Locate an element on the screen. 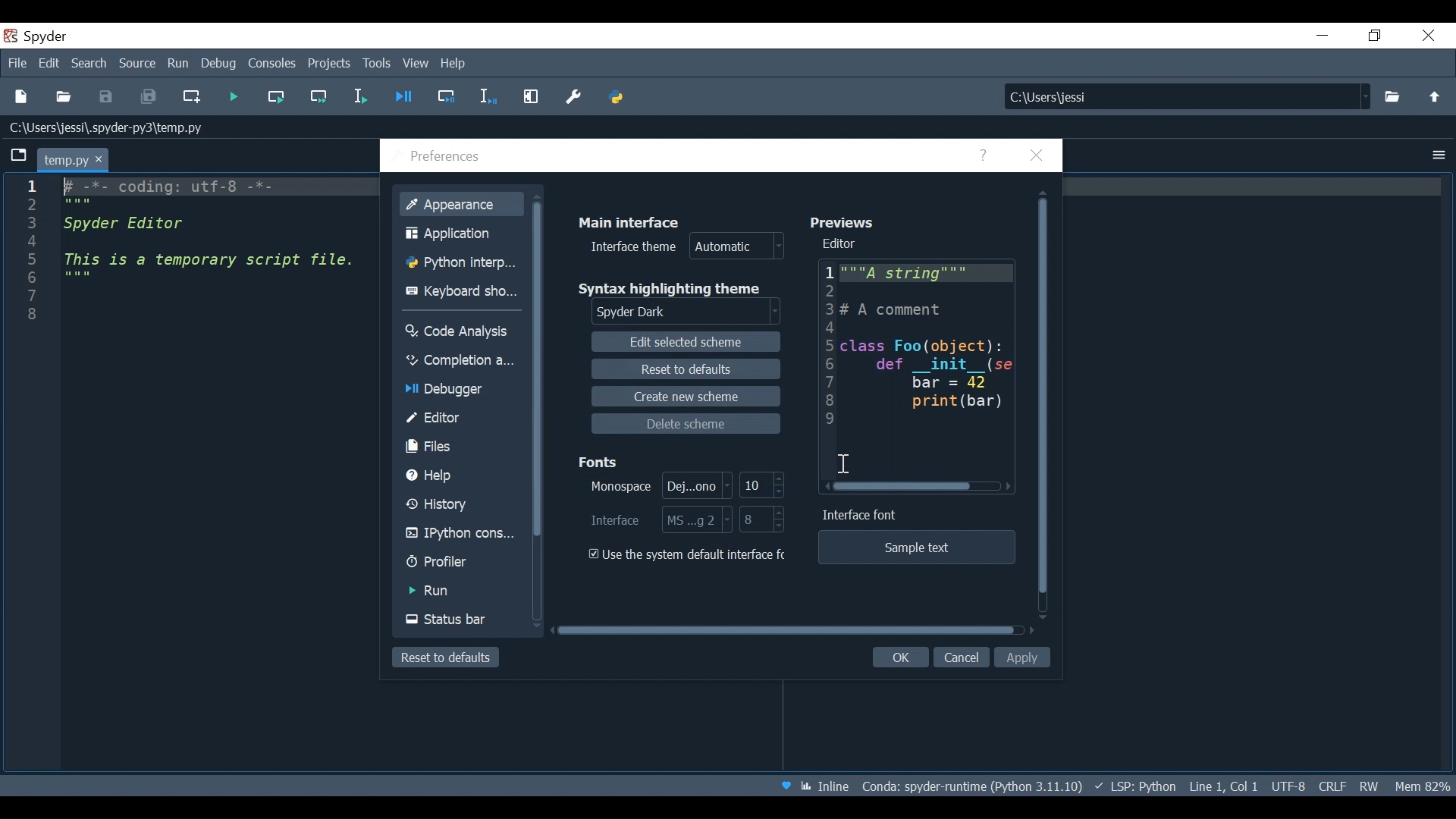 The width and height of the screenshot is (1456, 819). IPython console is located at coordinates (461, 535).